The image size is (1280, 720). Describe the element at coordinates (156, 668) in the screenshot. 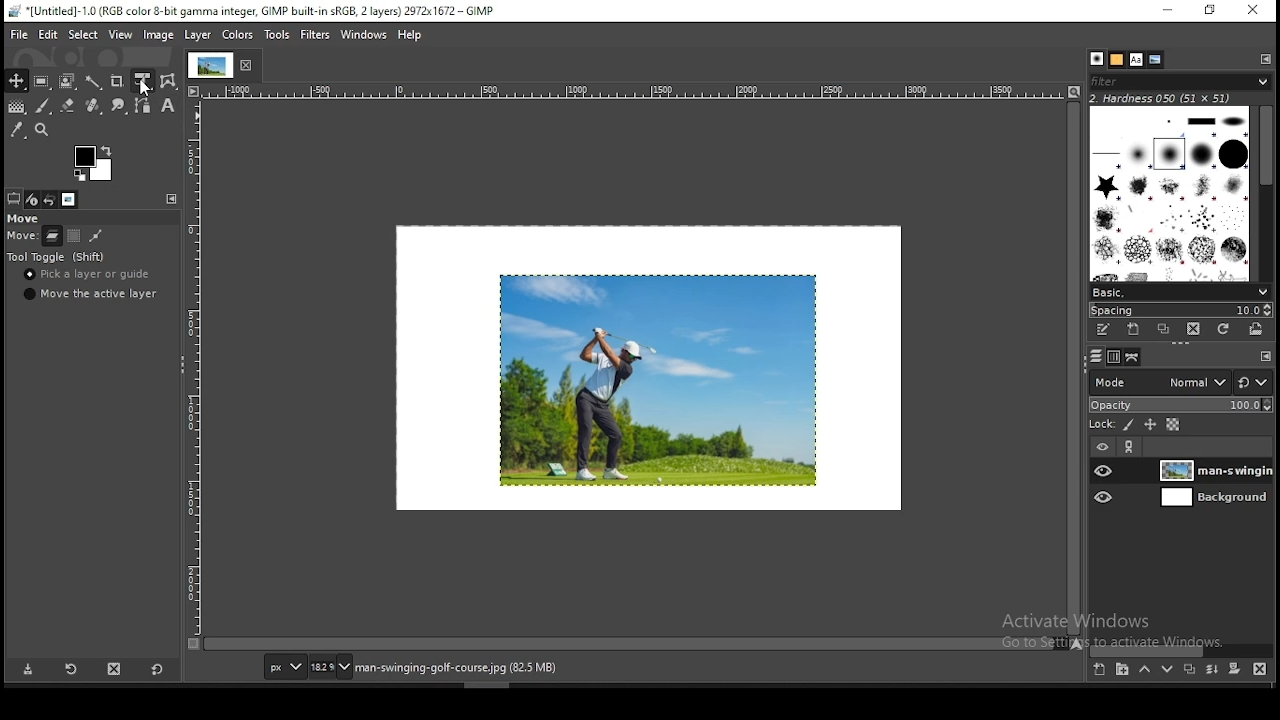

I see `restore to defaults` at that location.